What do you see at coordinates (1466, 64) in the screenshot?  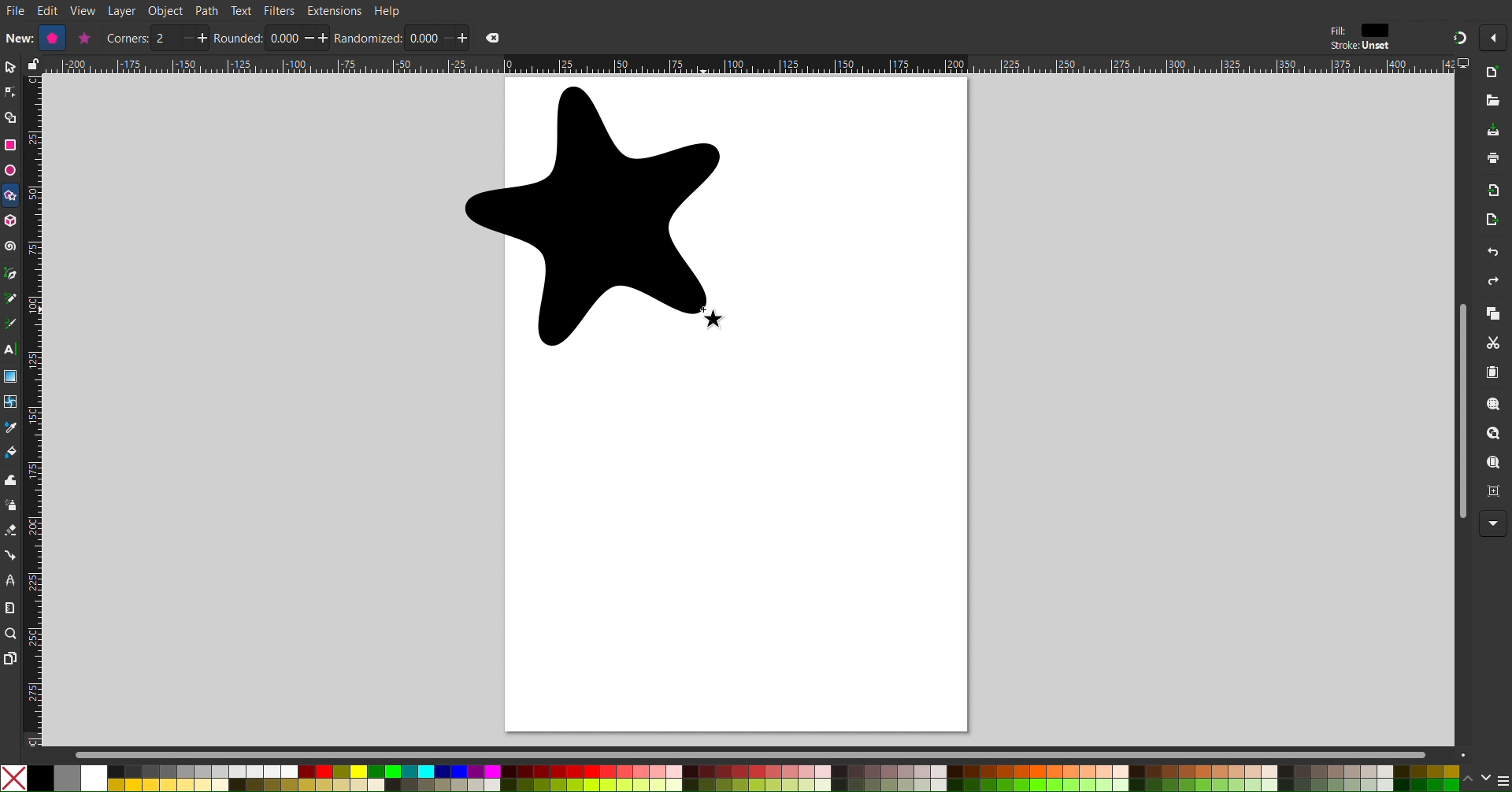 I see `computer icon` at bounding box center [1466, 64].